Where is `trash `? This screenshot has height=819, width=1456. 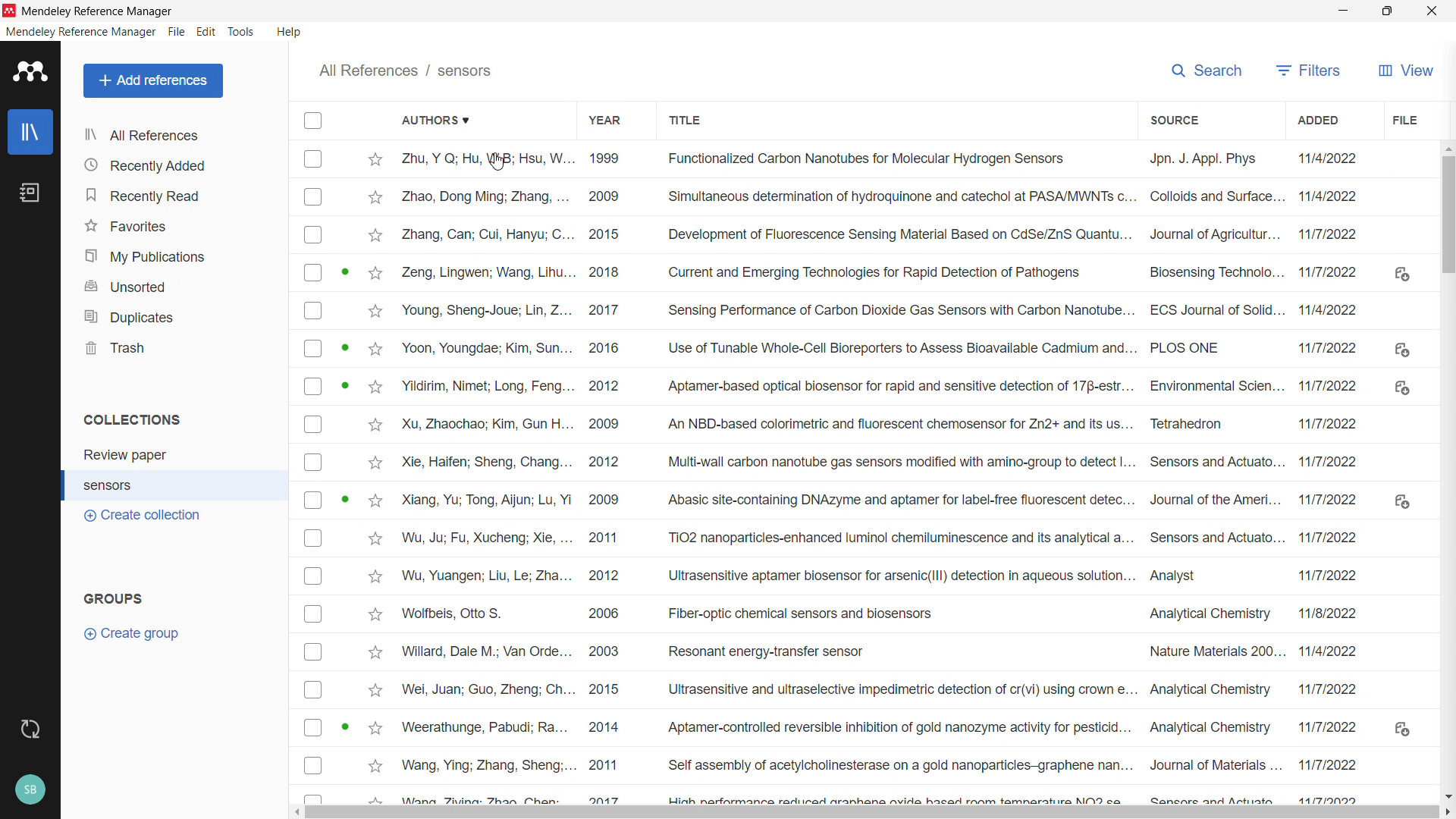
trash  is located at coordinates (177, 348).